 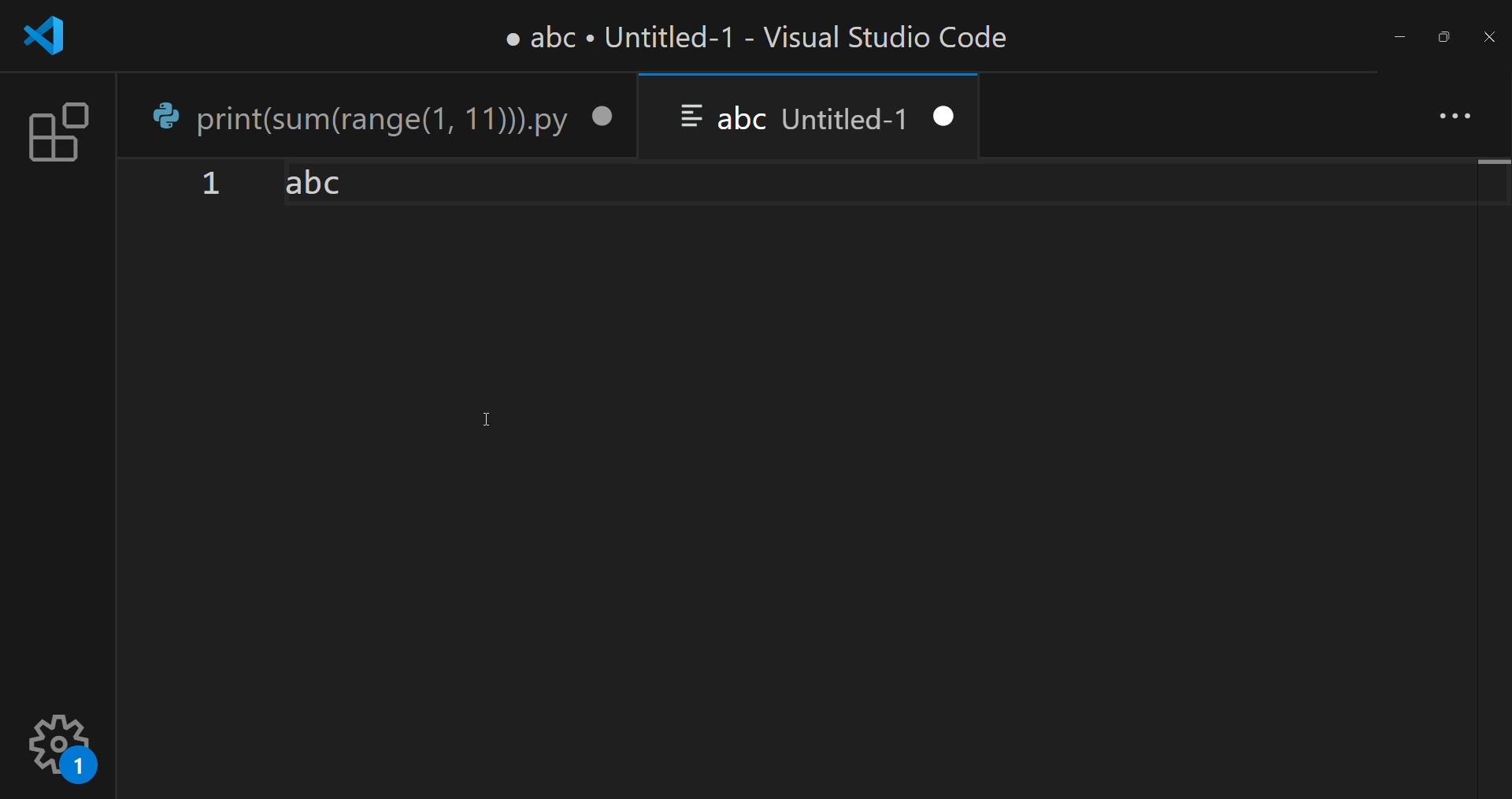 I want to click on close tab, so click(x=602, y=111).